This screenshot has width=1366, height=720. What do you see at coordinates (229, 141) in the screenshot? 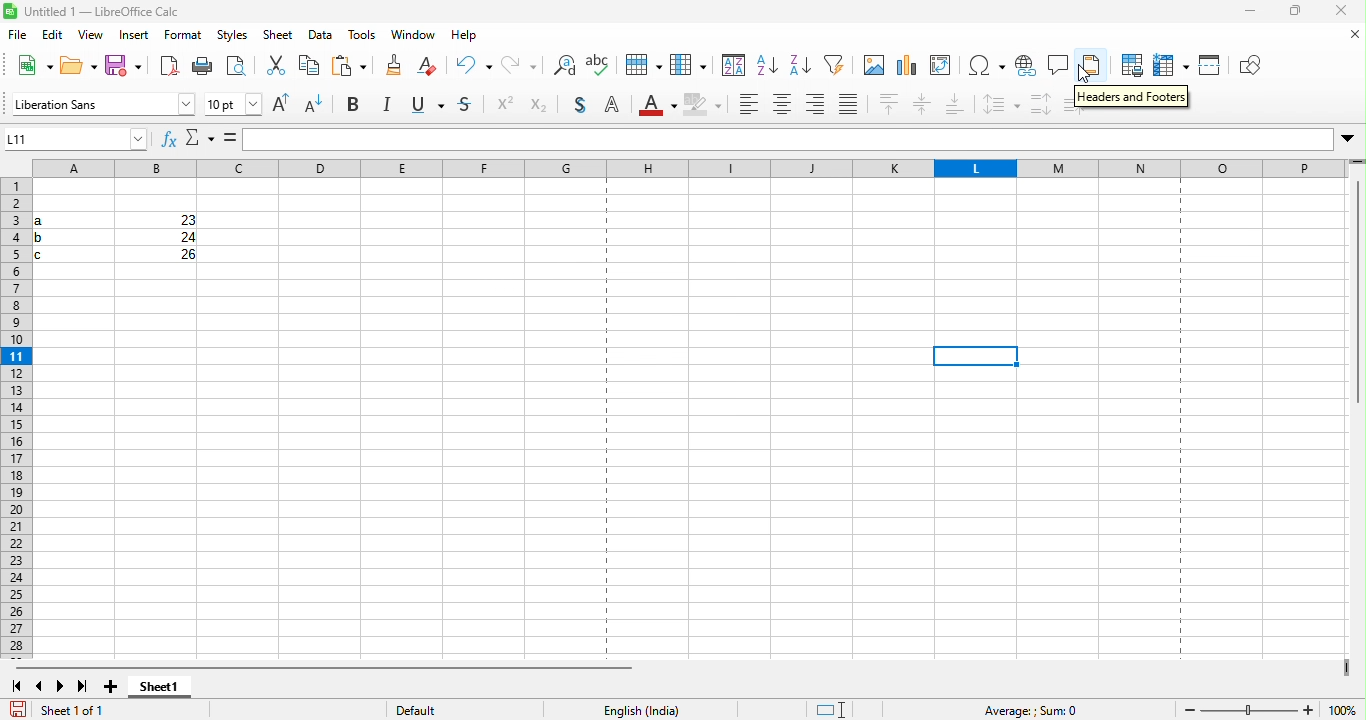
I see `formula` at bounding box center [229, 141].